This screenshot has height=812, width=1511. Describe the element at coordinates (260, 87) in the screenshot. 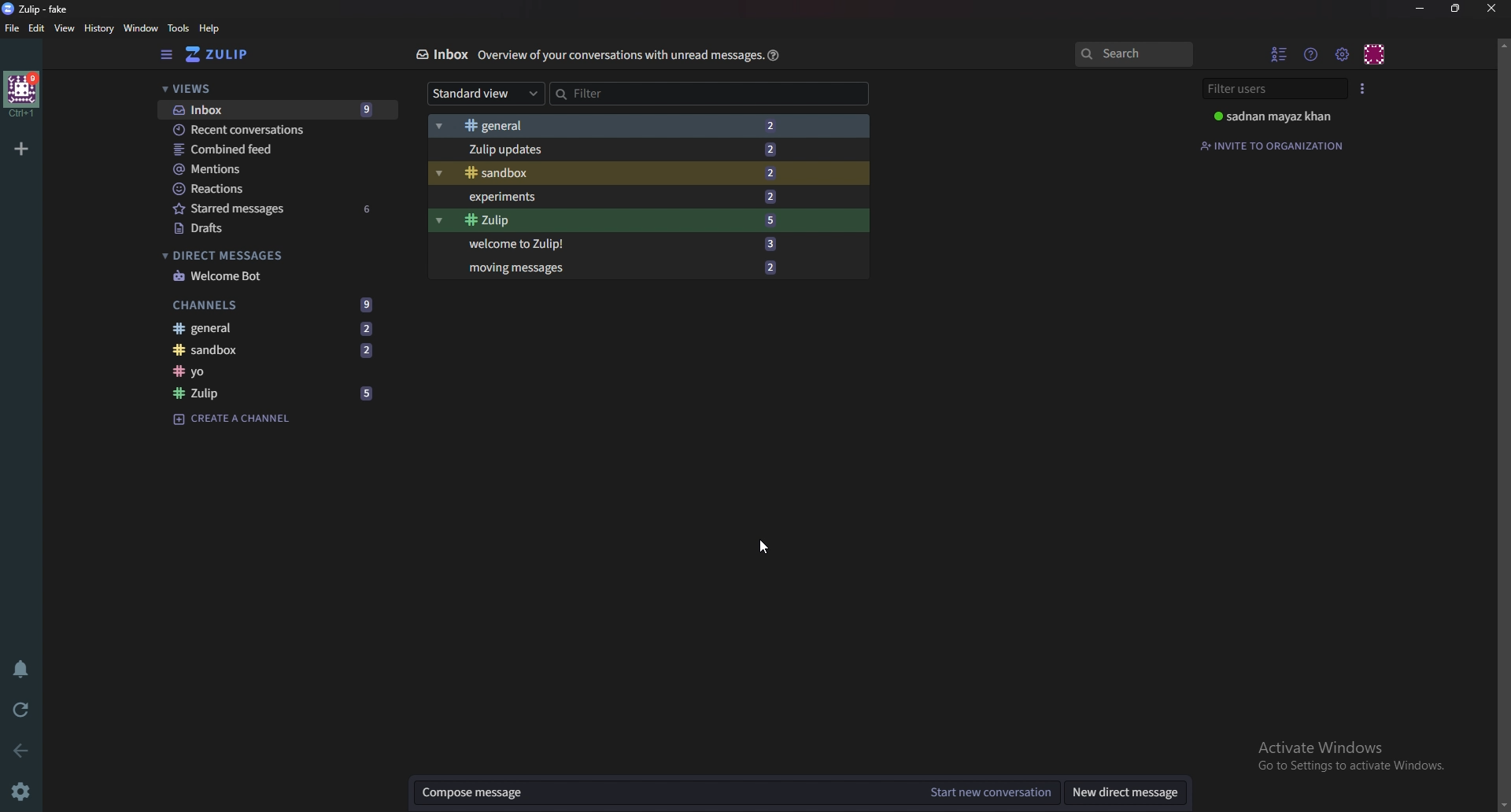

I see `Views` at that location.